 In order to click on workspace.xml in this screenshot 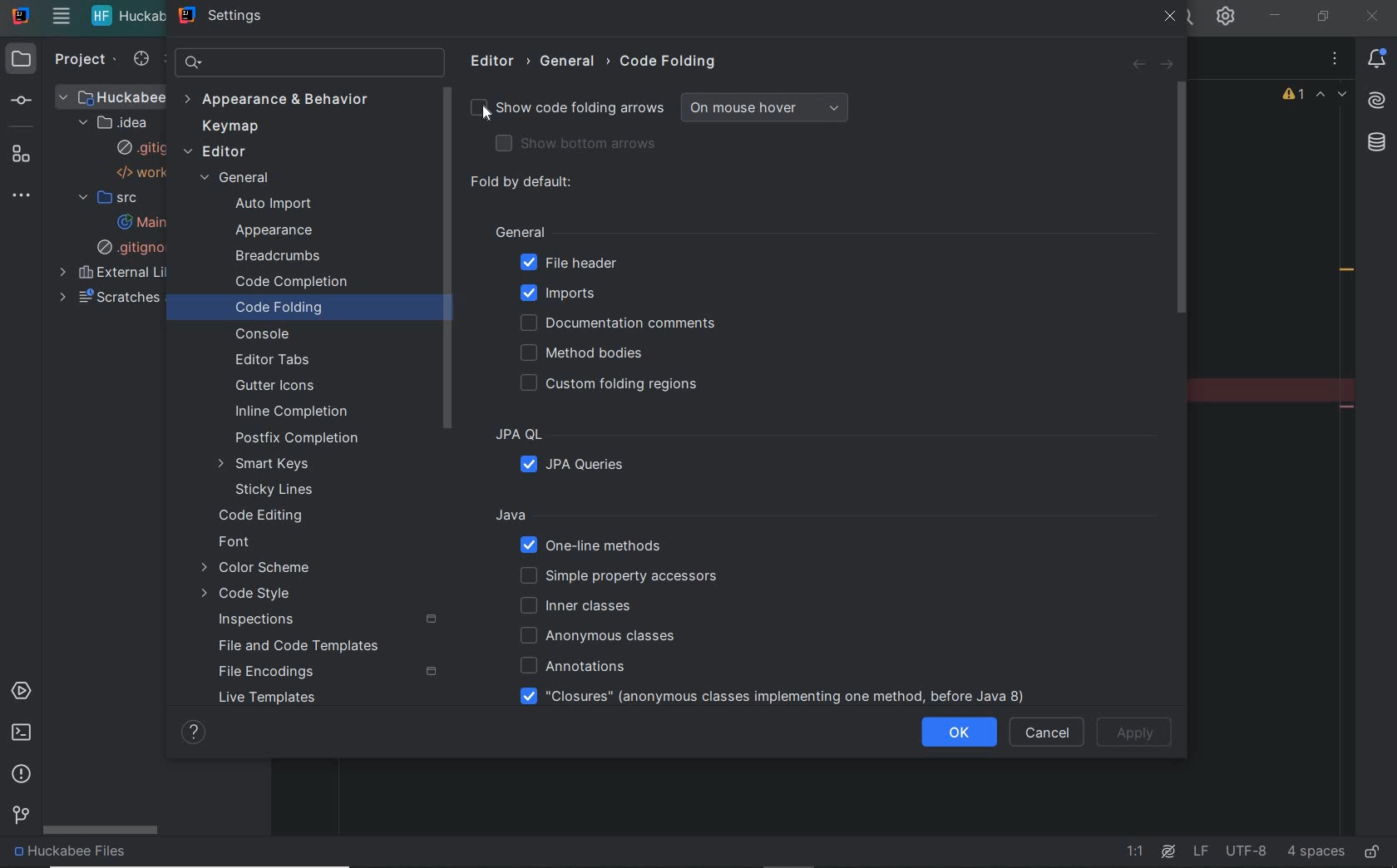, I will do `click(146, 174)`.